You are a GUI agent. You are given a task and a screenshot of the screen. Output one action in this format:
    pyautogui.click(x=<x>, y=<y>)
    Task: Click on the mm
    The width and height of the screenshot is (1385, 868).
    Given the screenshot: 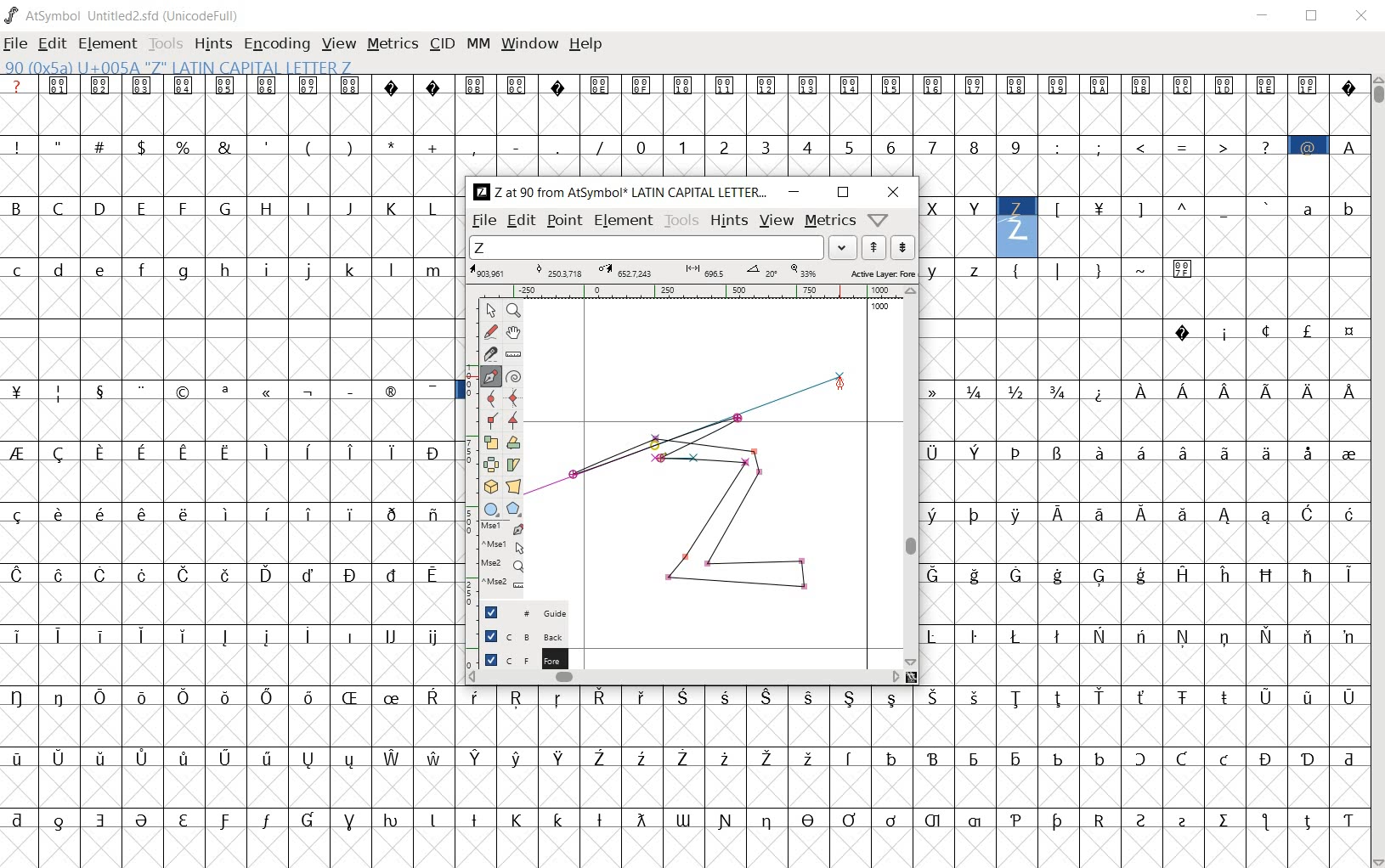 What is the action you would take?
    pyautogui.click(x=478, y=43)
    